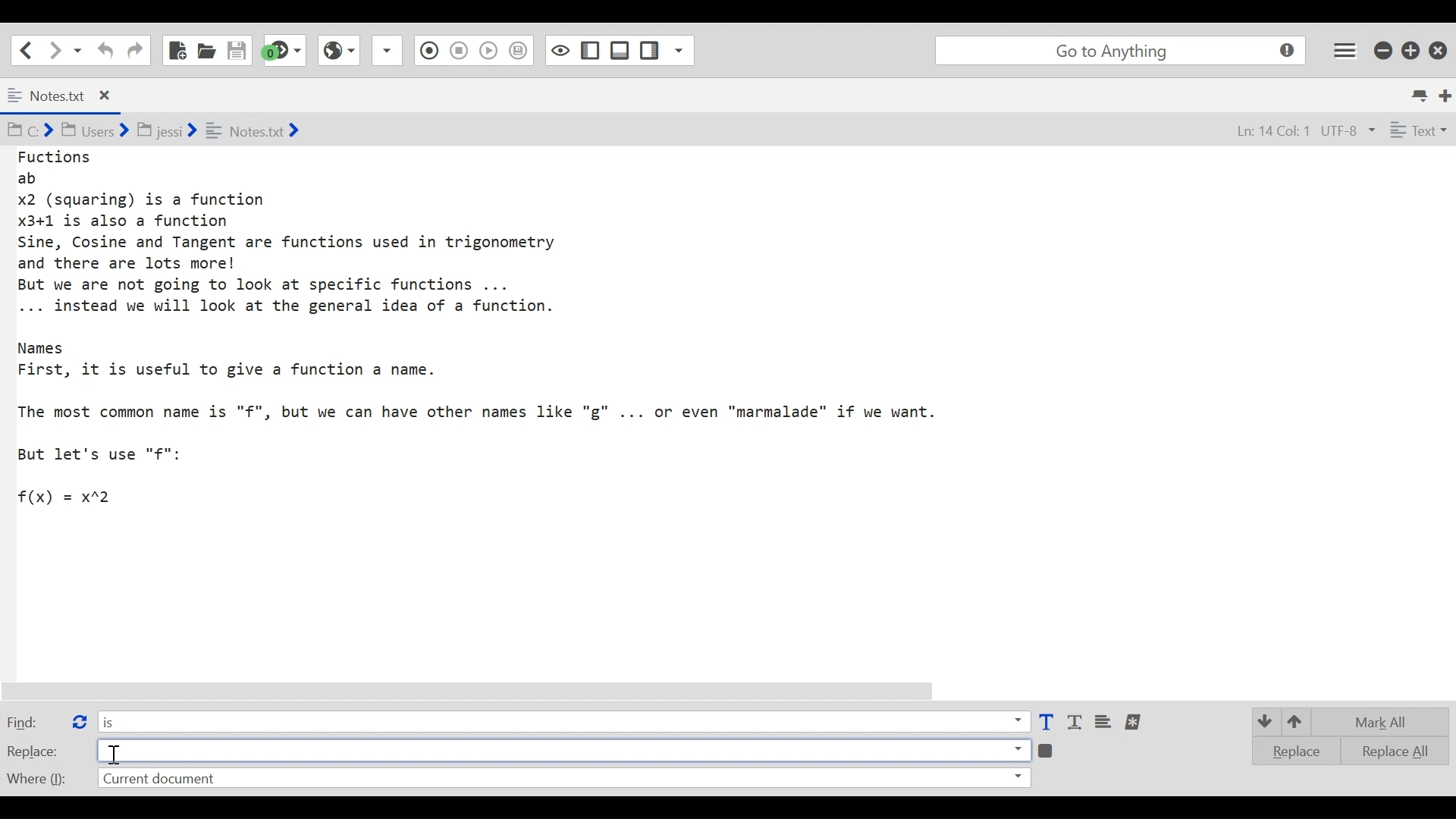  Describe the element at coordinates (1298, 720) in the screenshot. I see `Arrow up` at that location.